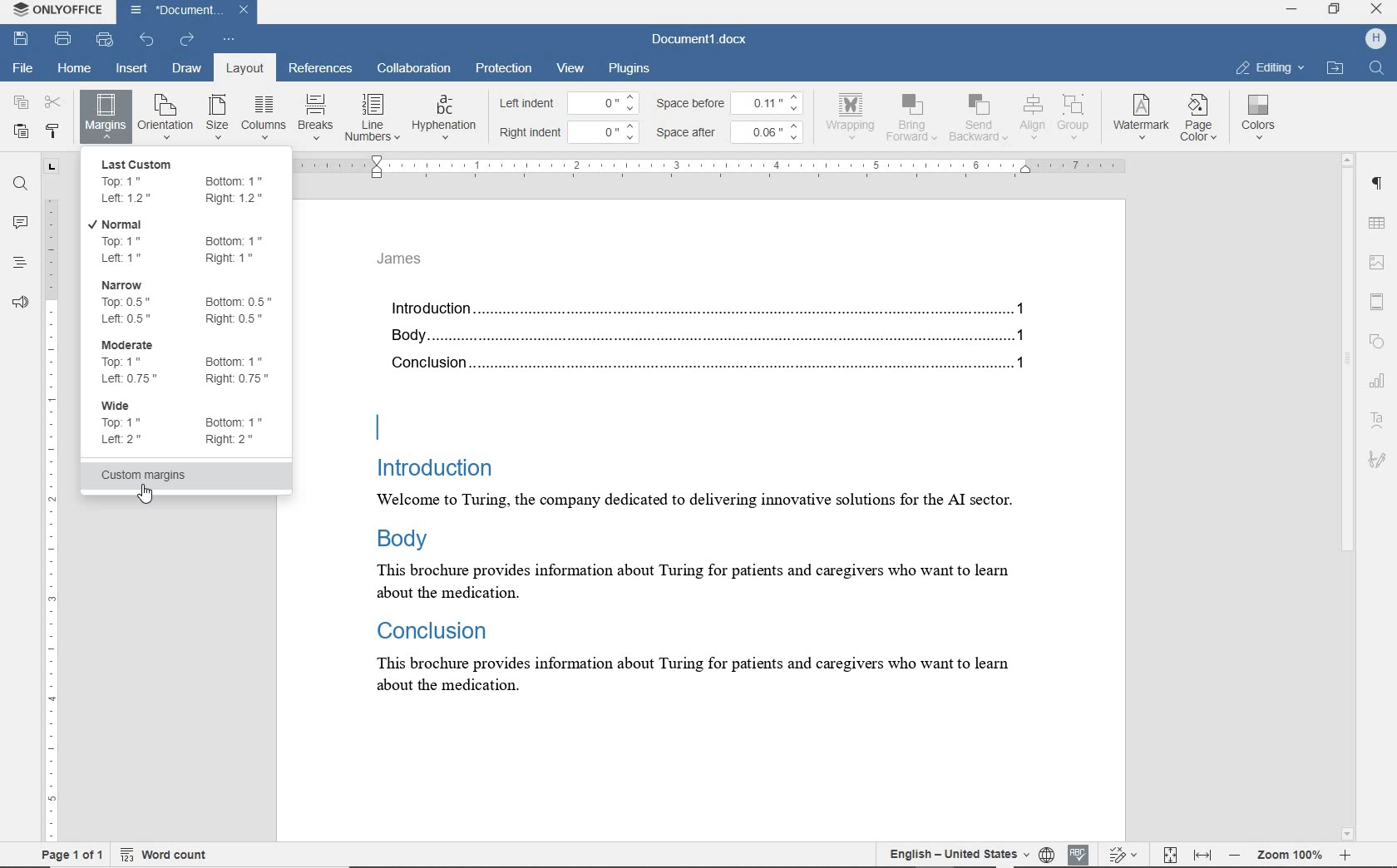  What do you see at coordinates (532, 105) in the screenshot?
I see `left indent` at bounding box center [532, 105].